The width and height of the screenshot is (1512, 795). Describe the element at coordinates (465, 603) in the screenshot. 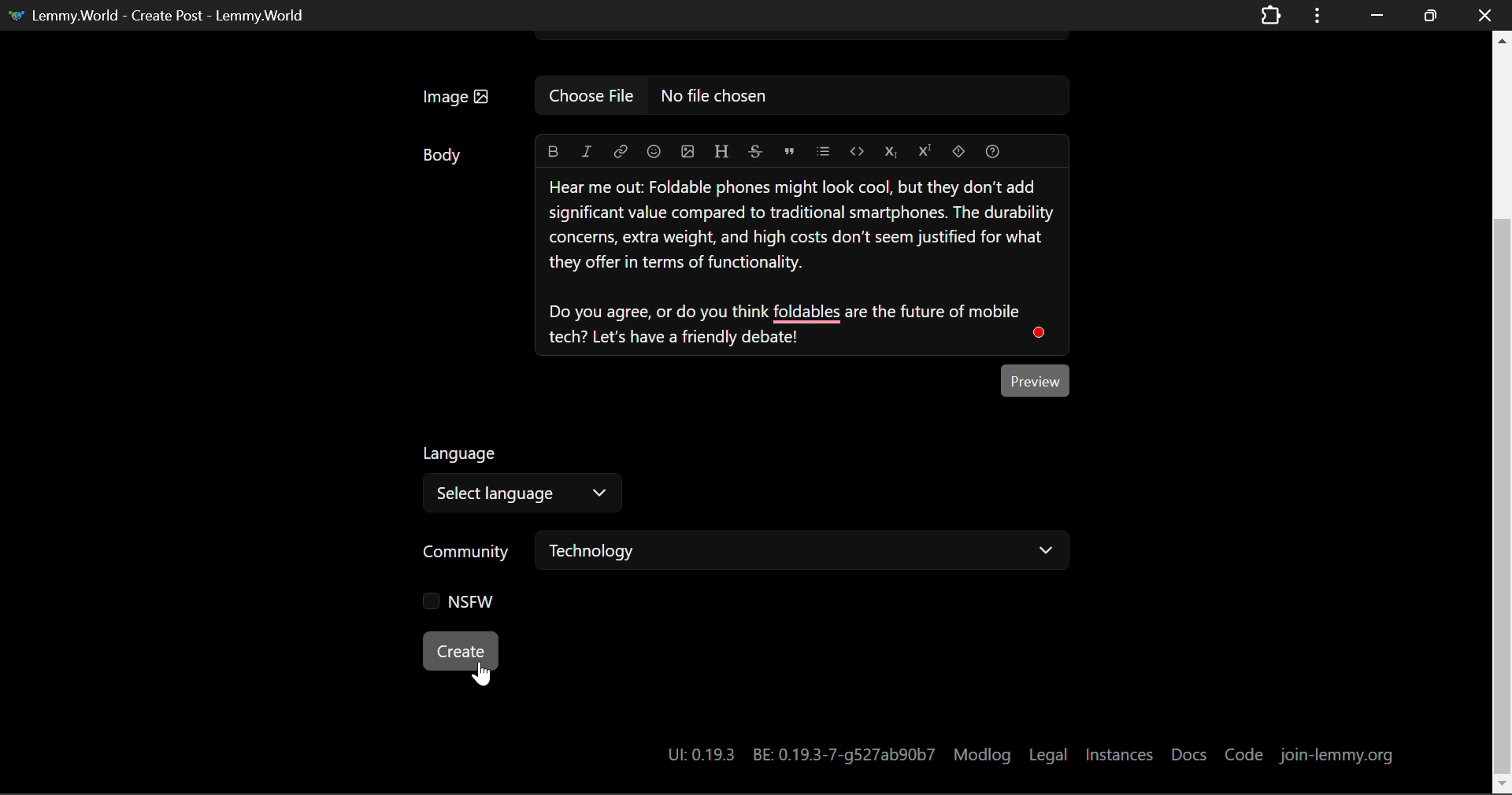

I see `NSFW Checkbox` at that location.